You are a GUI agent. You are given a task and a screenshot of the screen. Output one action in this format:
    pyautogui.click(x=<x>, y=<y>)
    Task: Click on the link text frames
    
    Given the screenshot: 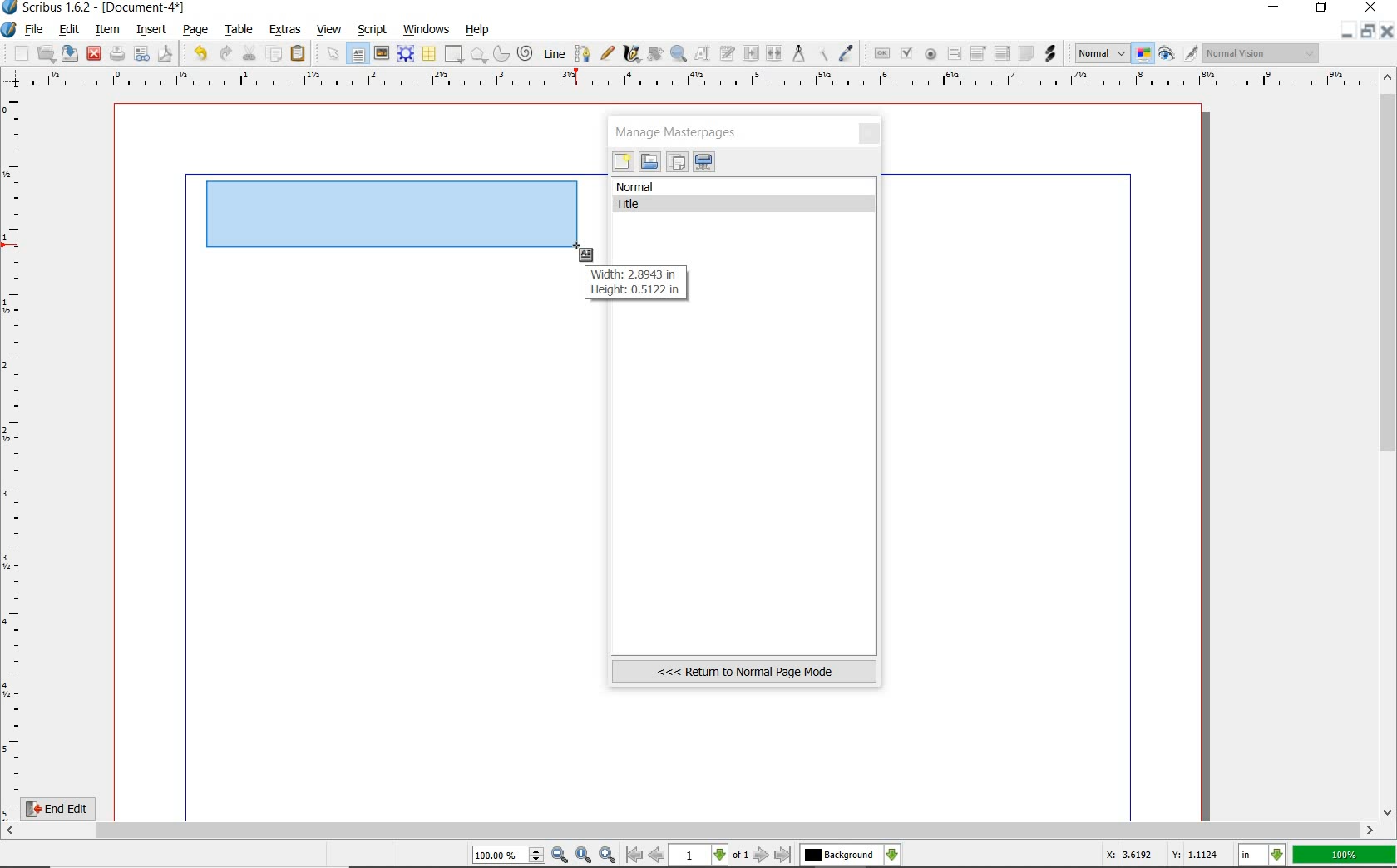 What is the action you would take?
    pyautogui.click(x=749, y=52)
    